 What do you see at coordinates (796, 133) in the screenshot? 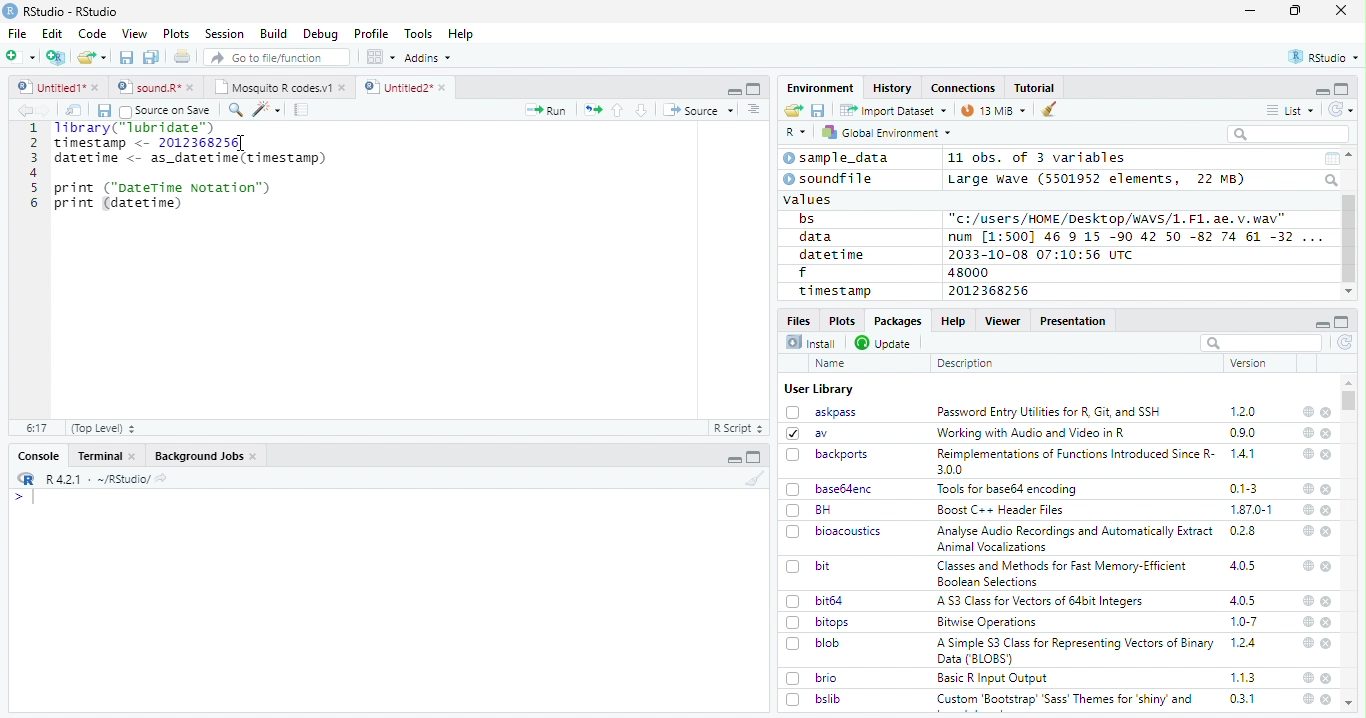
I see `R` at bounding box center [796, 133].